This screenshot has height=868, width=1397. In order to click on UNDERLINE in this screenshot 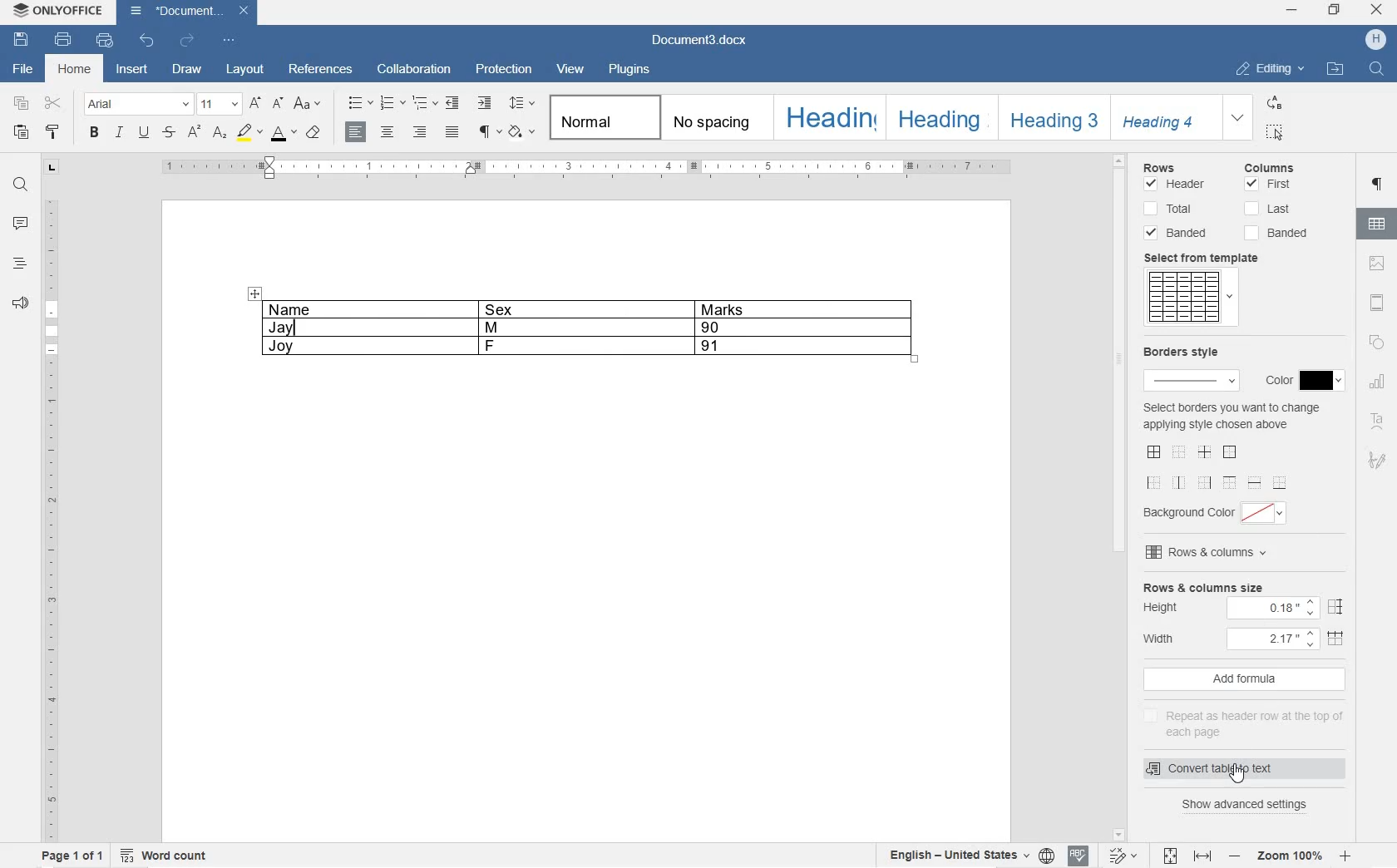, I will do `click(144, 133)`.